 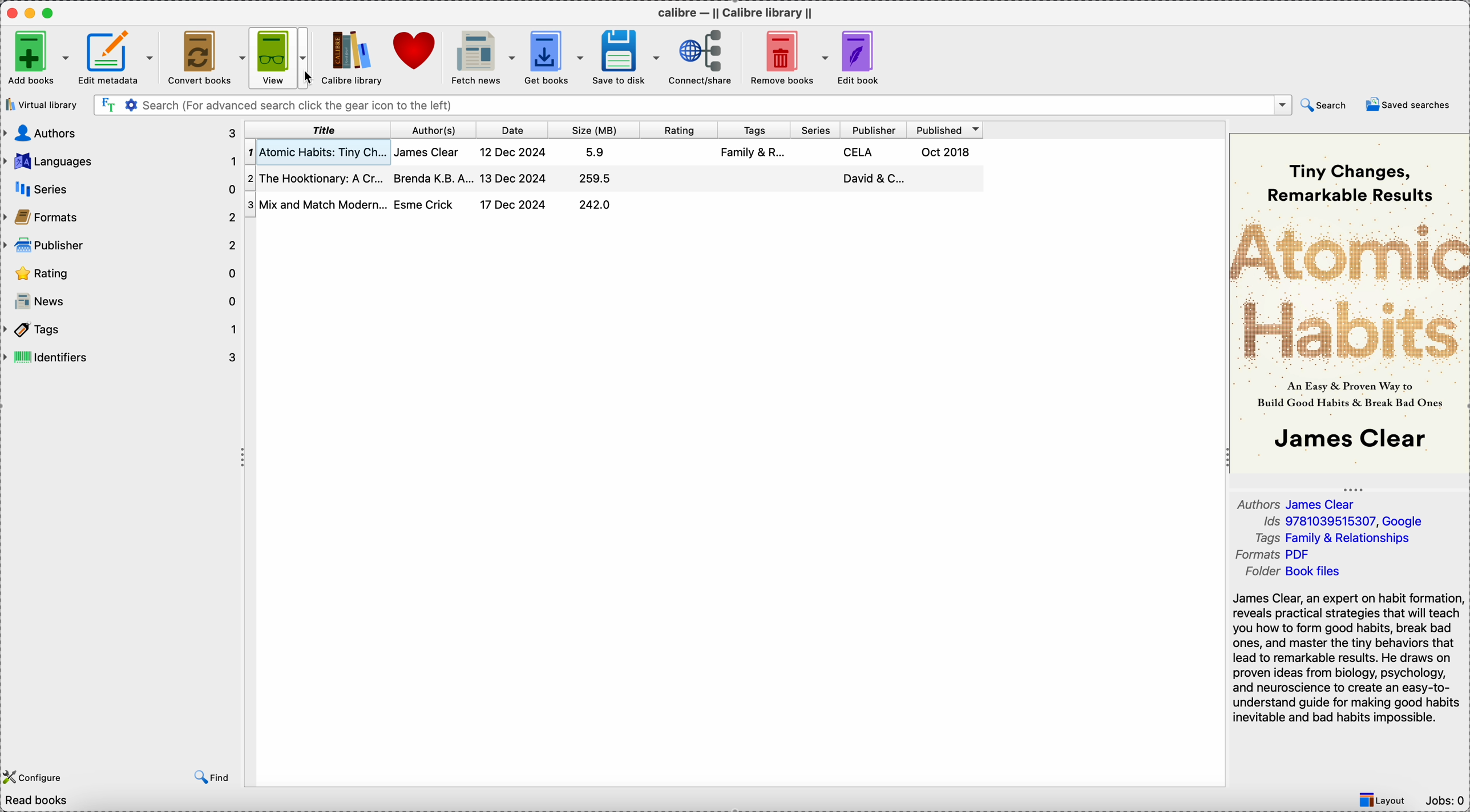 What do you see at coordinates (1291, 572) in the screenshot?
I see `Folder Book files` at bounding box center [1291, 572].